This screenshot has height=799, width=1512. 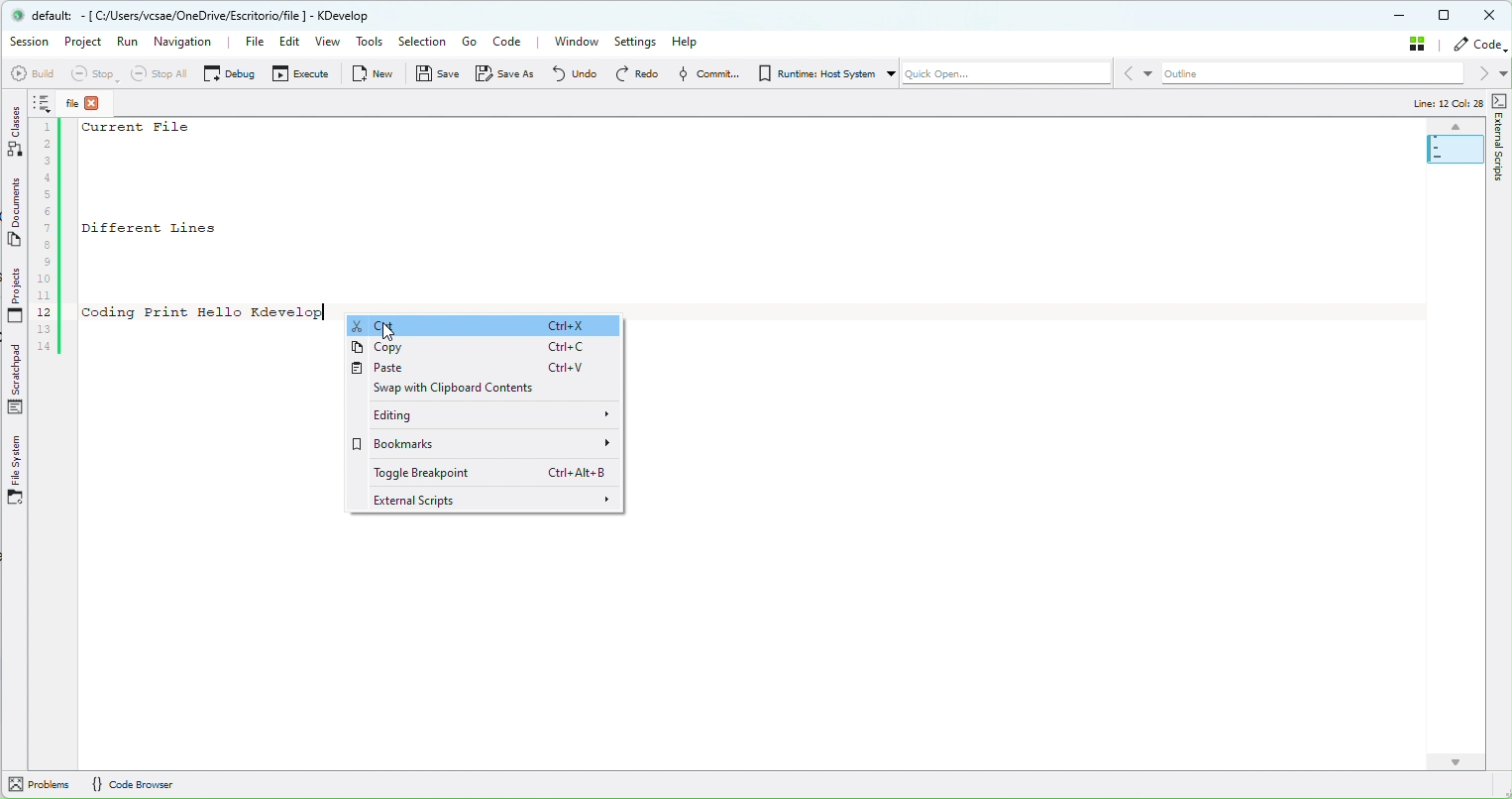 I want to click on Projects, so click(x=17, y=294).